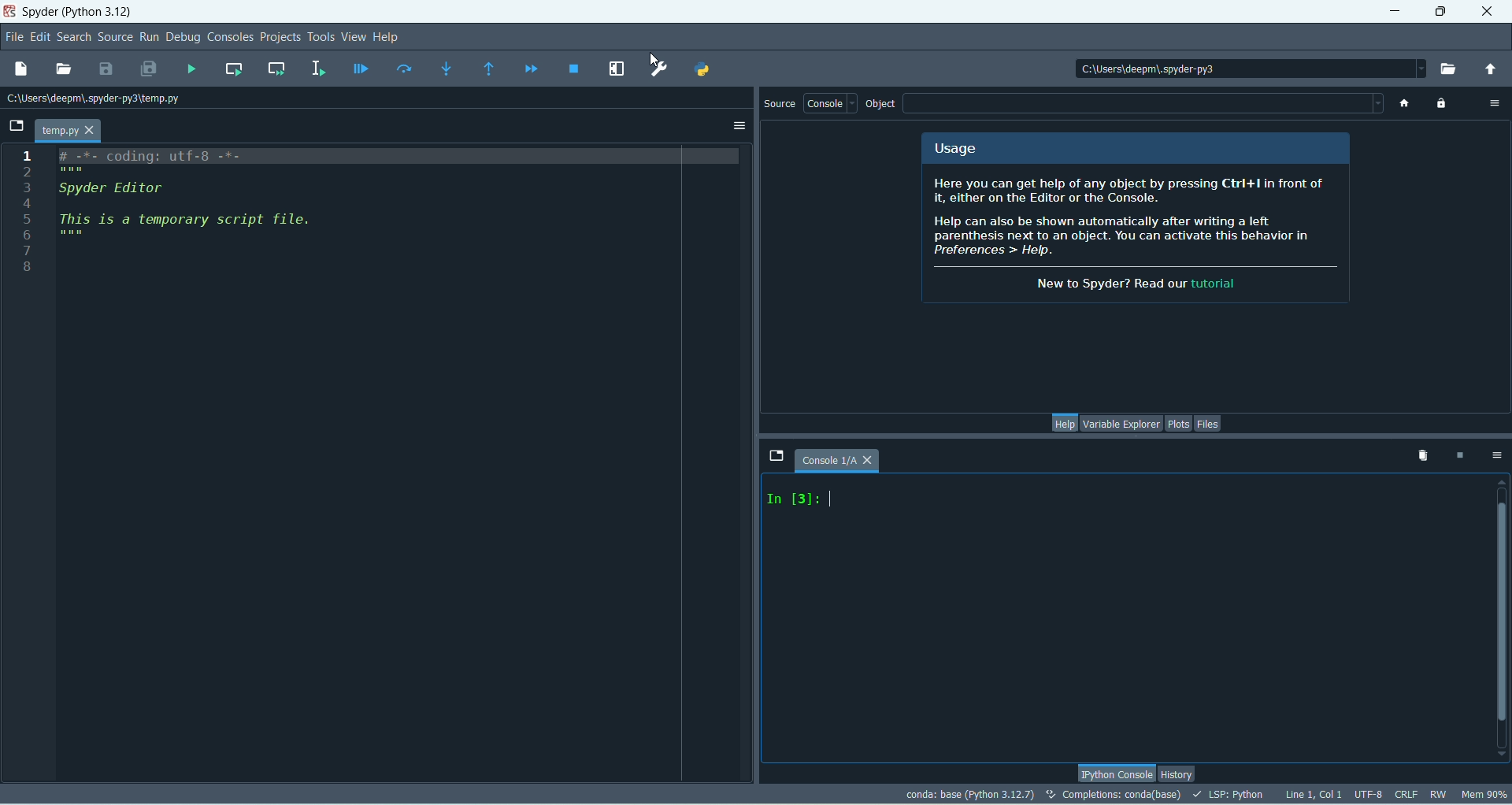  I want to click on temp.py, so click(70, 131).